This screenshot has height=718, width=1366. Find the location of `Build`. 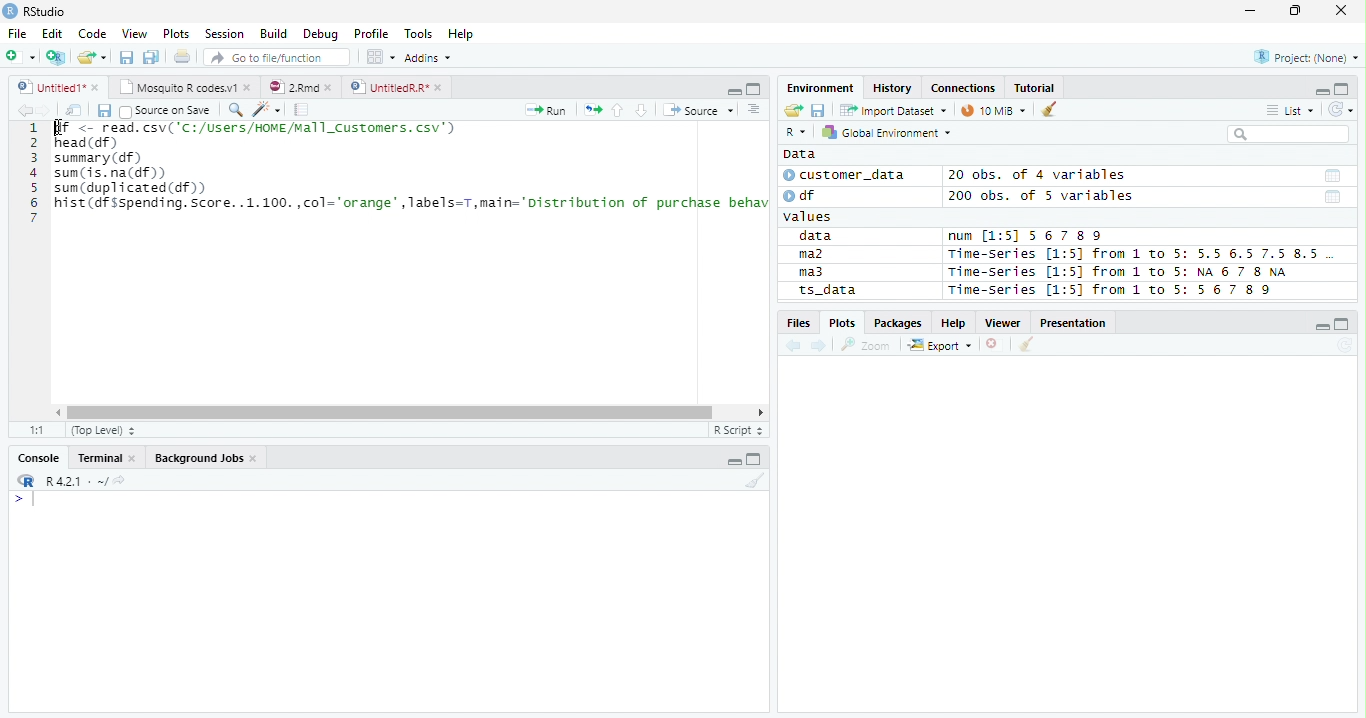

Build is located at coordinates (276, 35).